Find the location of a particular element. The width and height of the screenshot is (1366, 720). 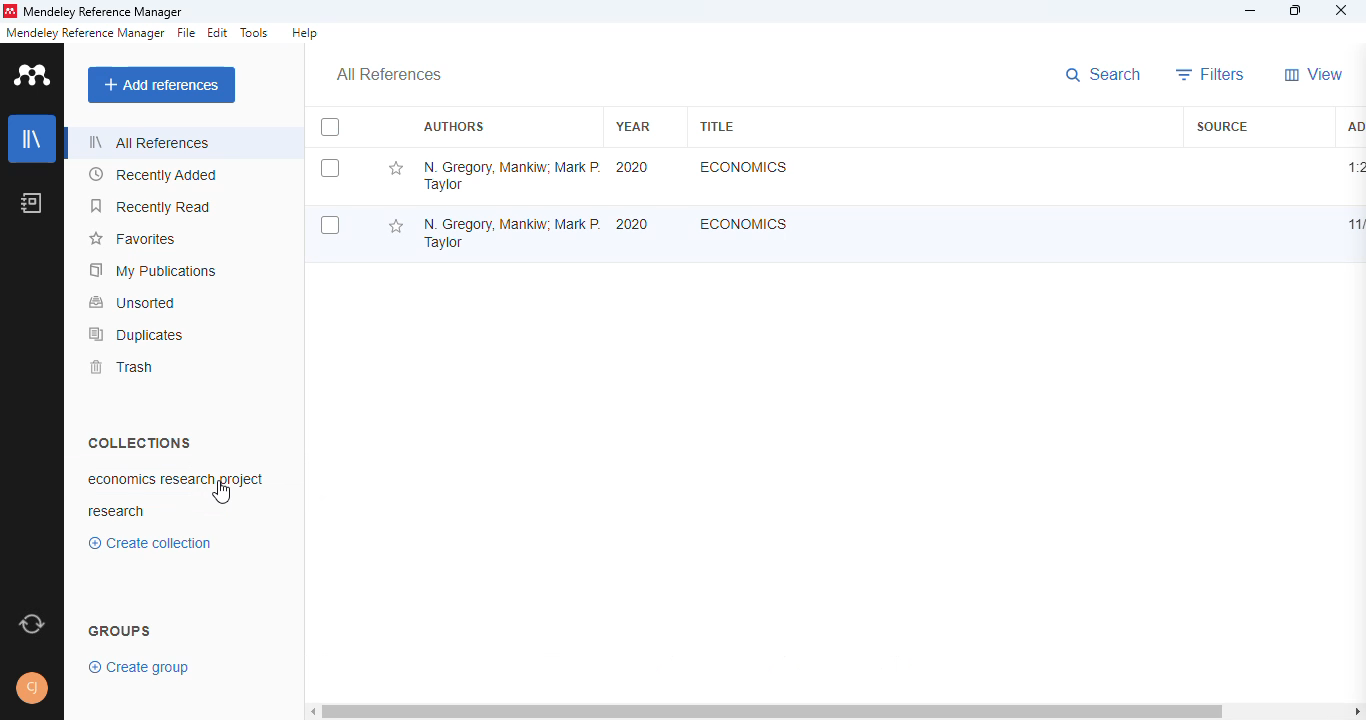

tools is located at coordinates (255, 33).